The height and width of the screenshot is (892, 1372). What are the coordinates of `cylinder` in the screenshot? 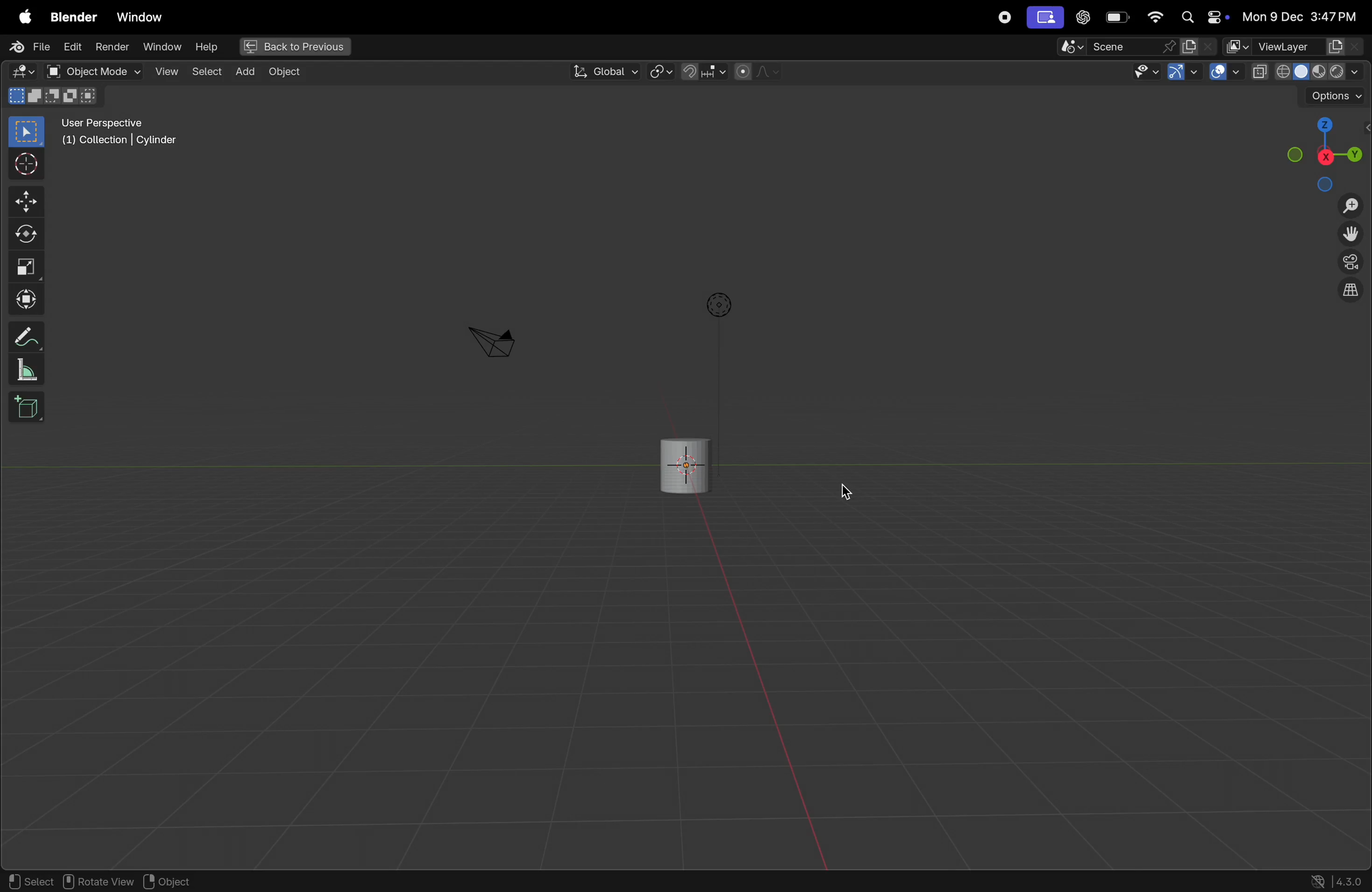 It's located at (677, 465).